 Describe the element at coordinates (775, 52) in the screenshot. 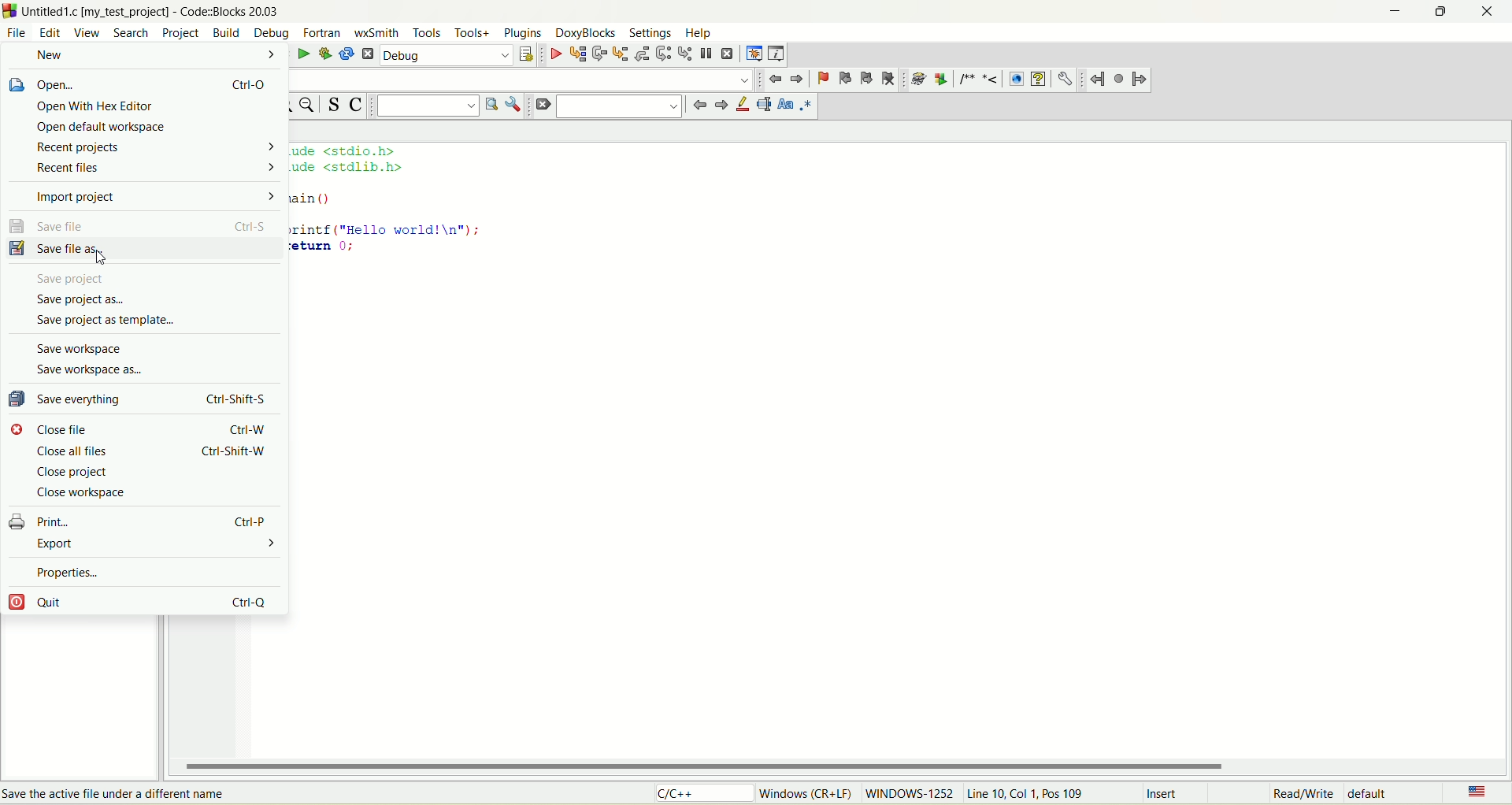

I see `various info` at that location.